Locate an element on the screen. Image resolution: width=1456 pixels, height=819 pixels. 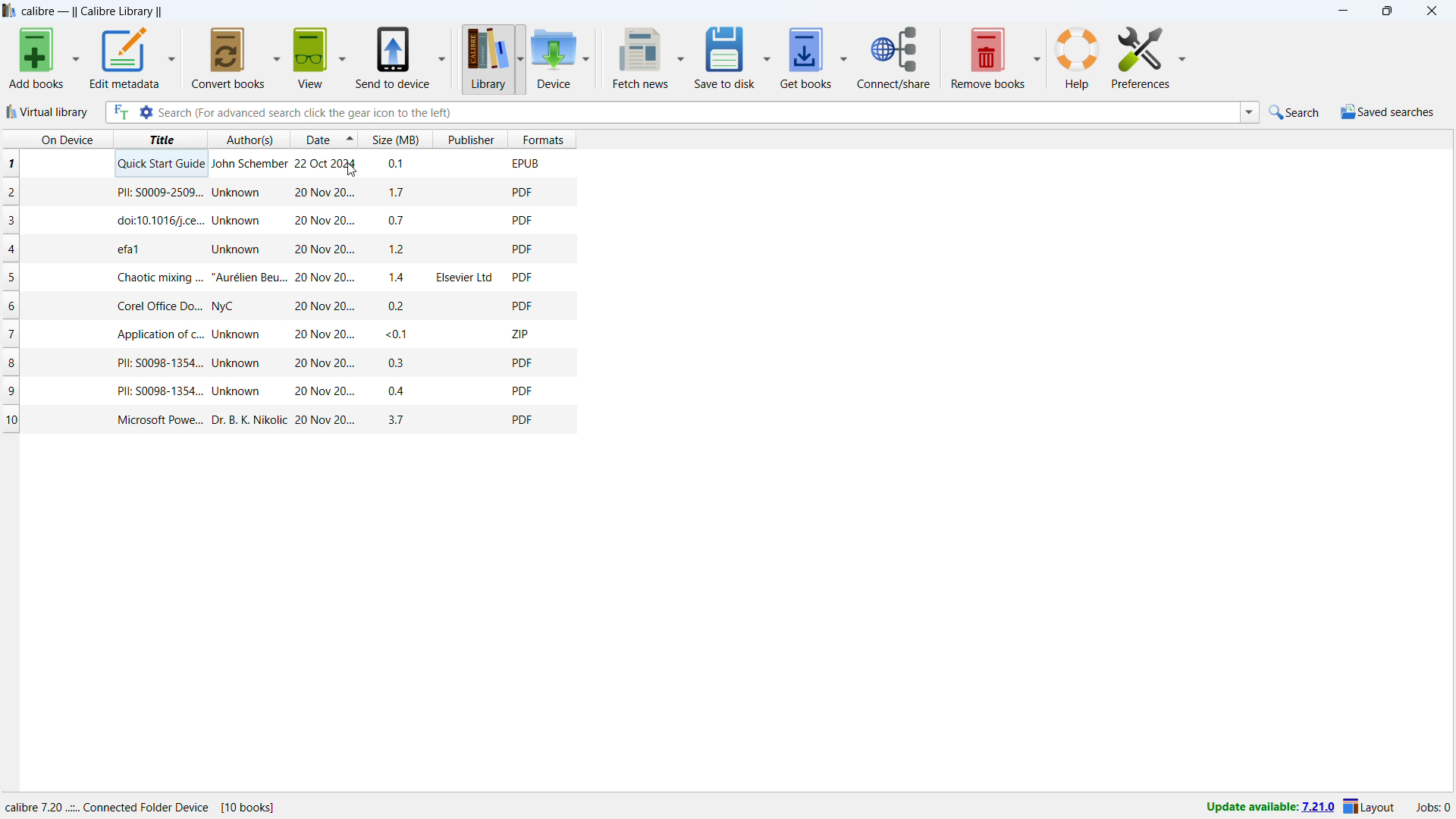
saved searches is located at coordinates (1388, 112).